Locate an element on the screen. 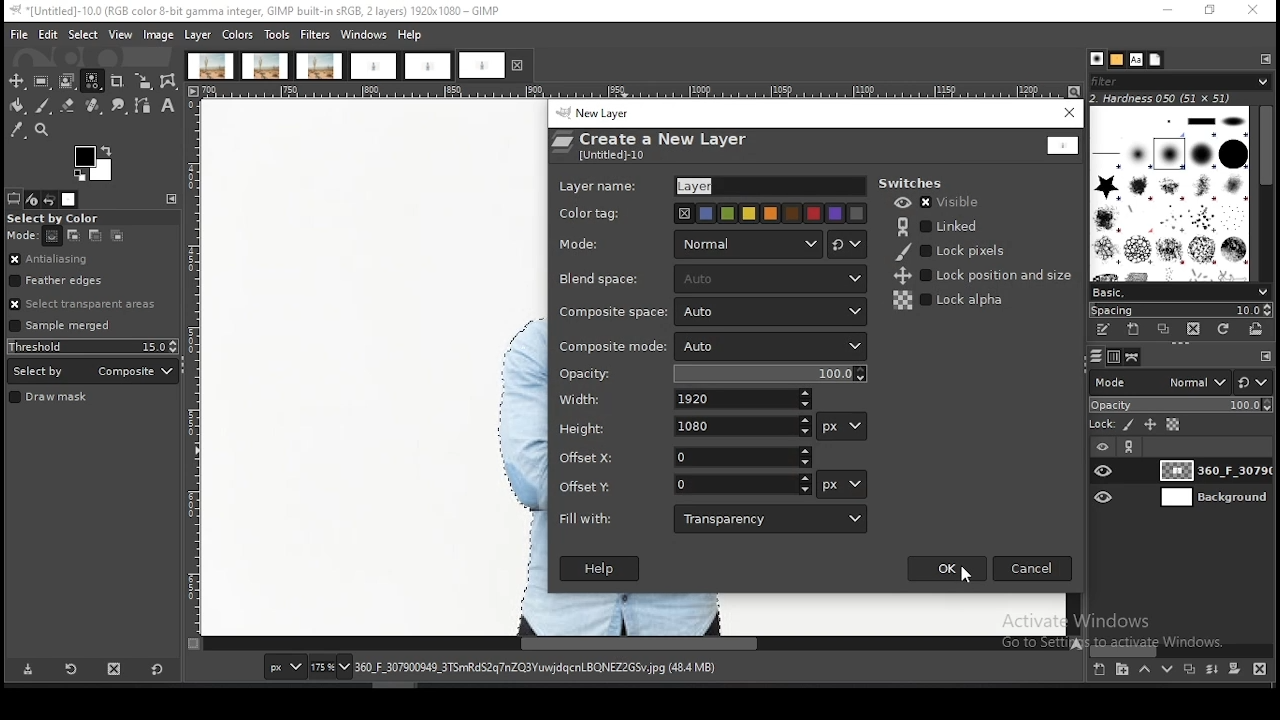 Image resolution: width=1280 pixels, height=720 pixels. help is located at coordinates (599, 568).